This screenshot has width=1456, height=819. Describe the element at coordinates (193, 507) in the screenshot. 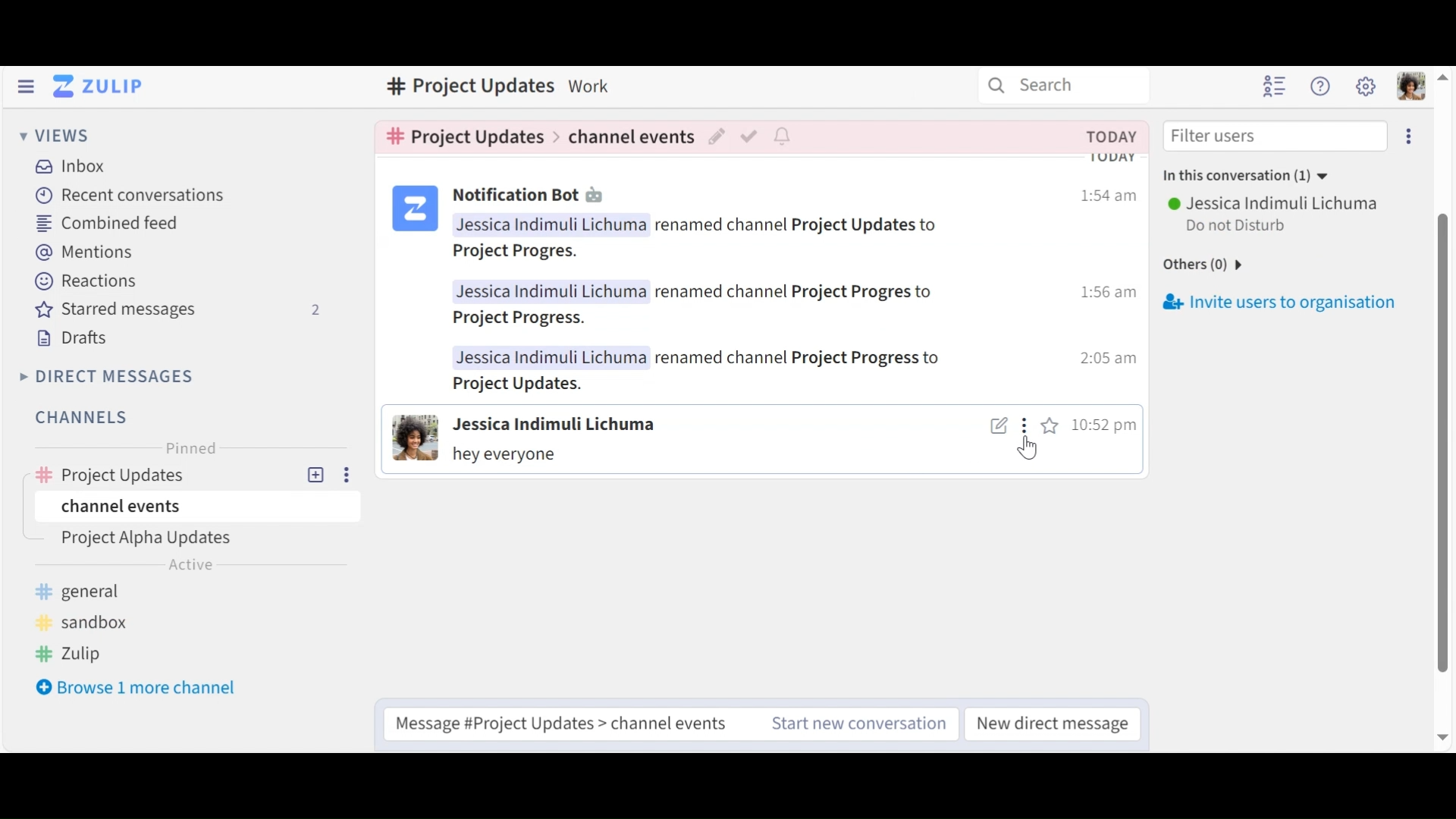

I see `Channel events` at that location.